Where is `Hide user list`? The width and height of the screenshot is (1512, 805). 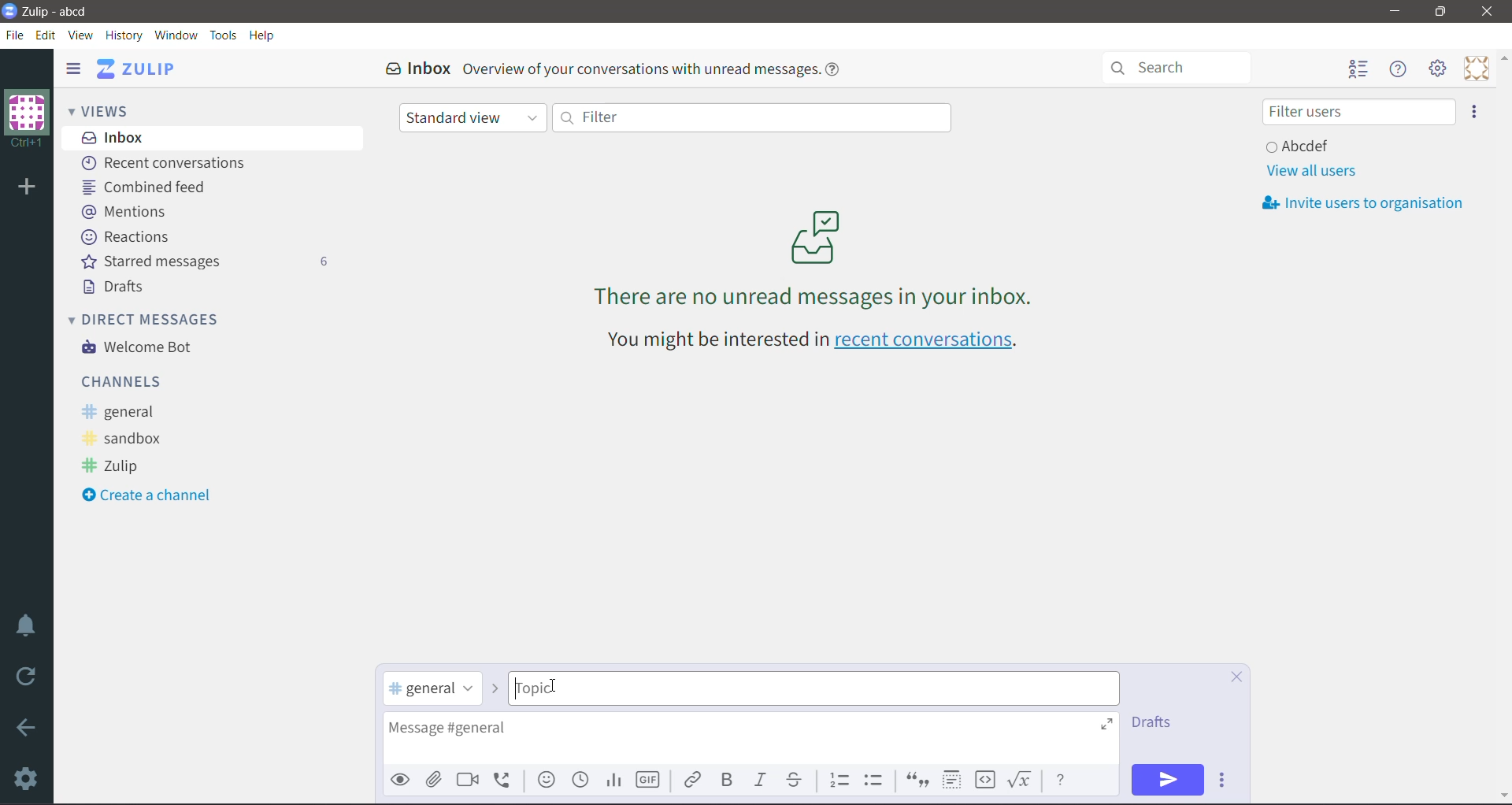 Hide user list is located at coordinates (1357, 70).